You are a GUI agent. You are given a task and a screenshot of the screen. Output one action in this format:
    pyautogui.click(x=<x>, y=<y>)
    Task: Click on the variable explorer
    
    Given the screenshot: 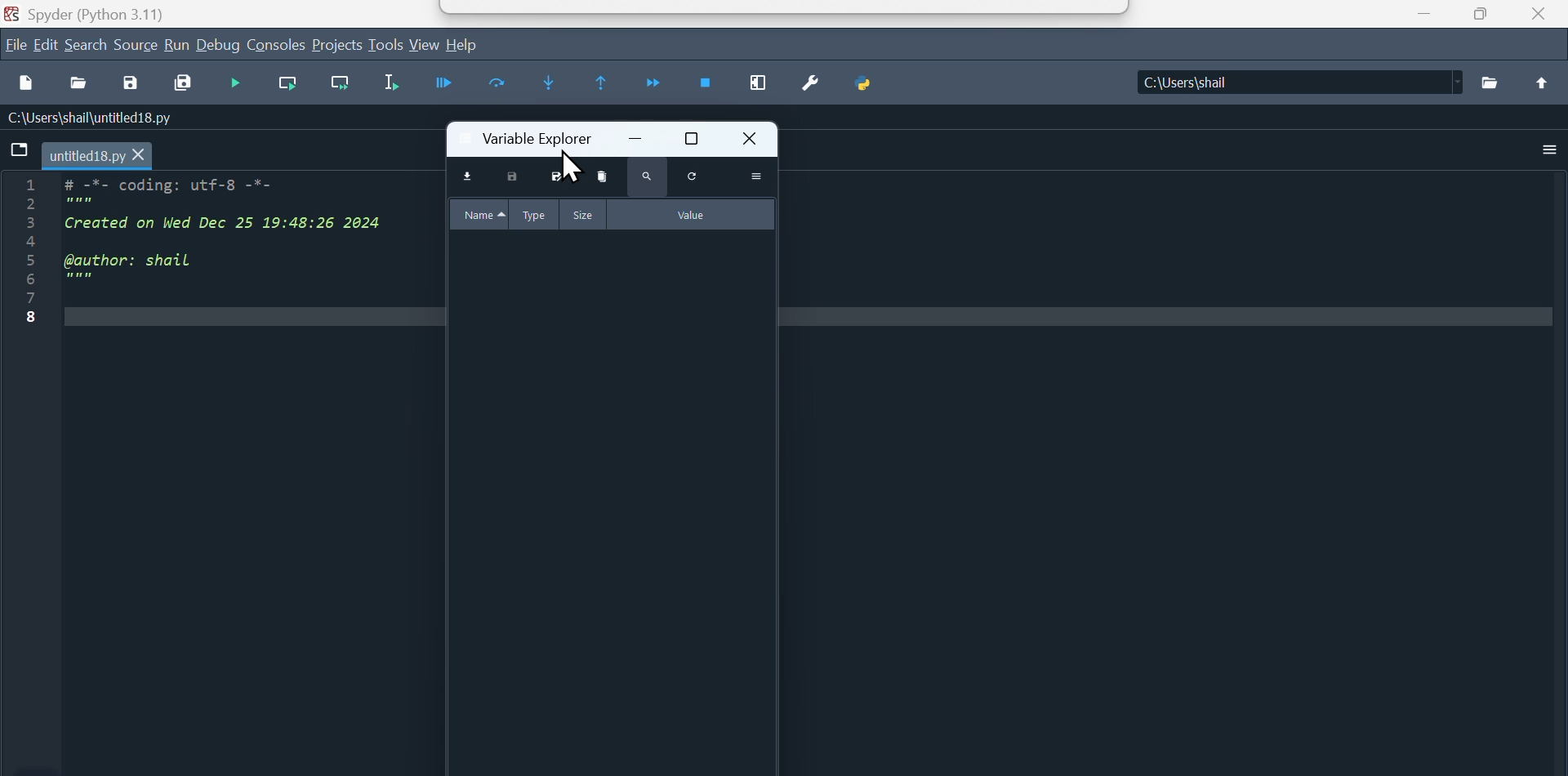 What is the action you would take?
    pyautogui.click(x=520, y=138)
    